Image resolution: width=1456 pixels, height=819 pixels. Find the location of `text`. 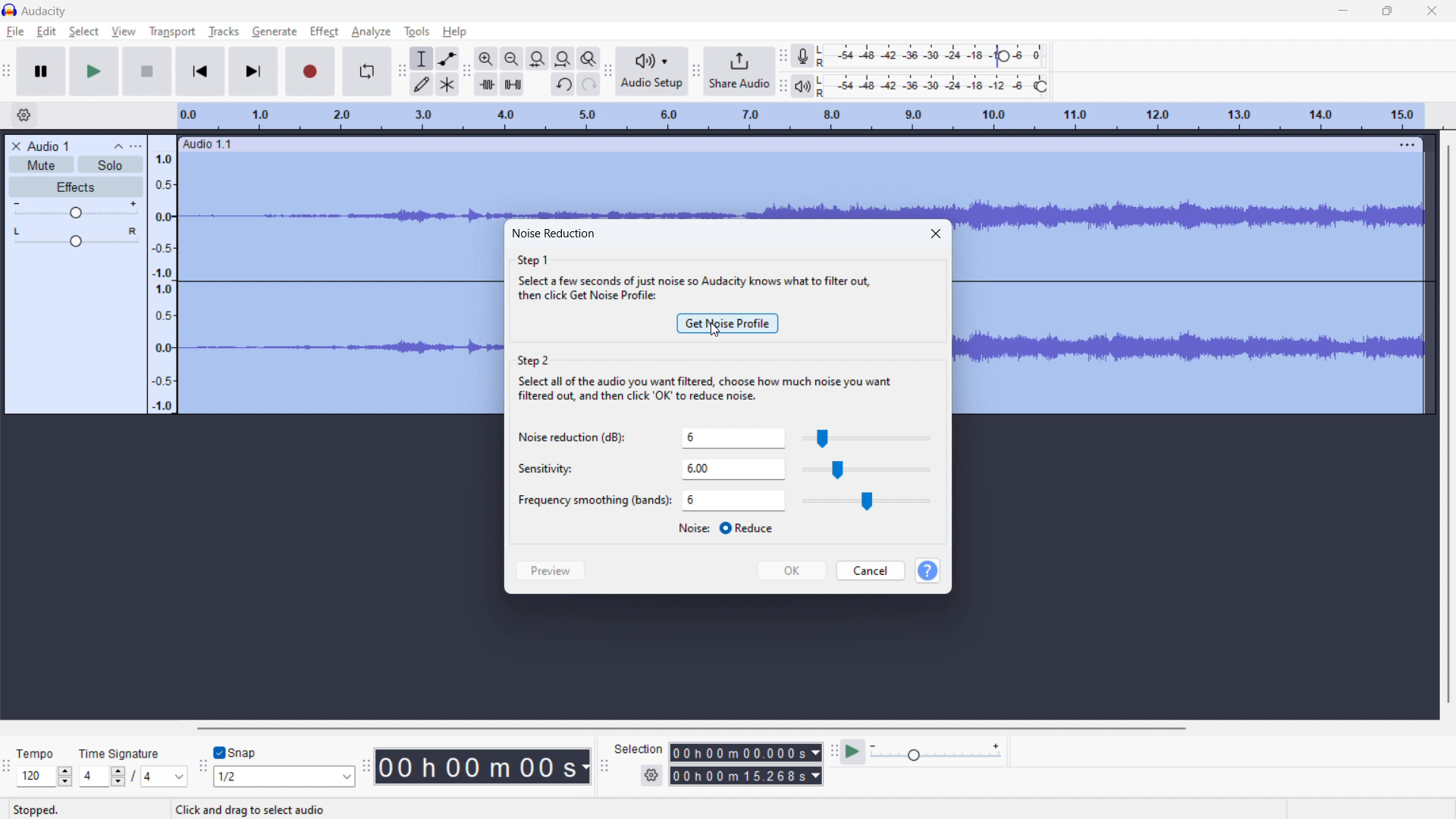

text is located at coordinates (255, 810).